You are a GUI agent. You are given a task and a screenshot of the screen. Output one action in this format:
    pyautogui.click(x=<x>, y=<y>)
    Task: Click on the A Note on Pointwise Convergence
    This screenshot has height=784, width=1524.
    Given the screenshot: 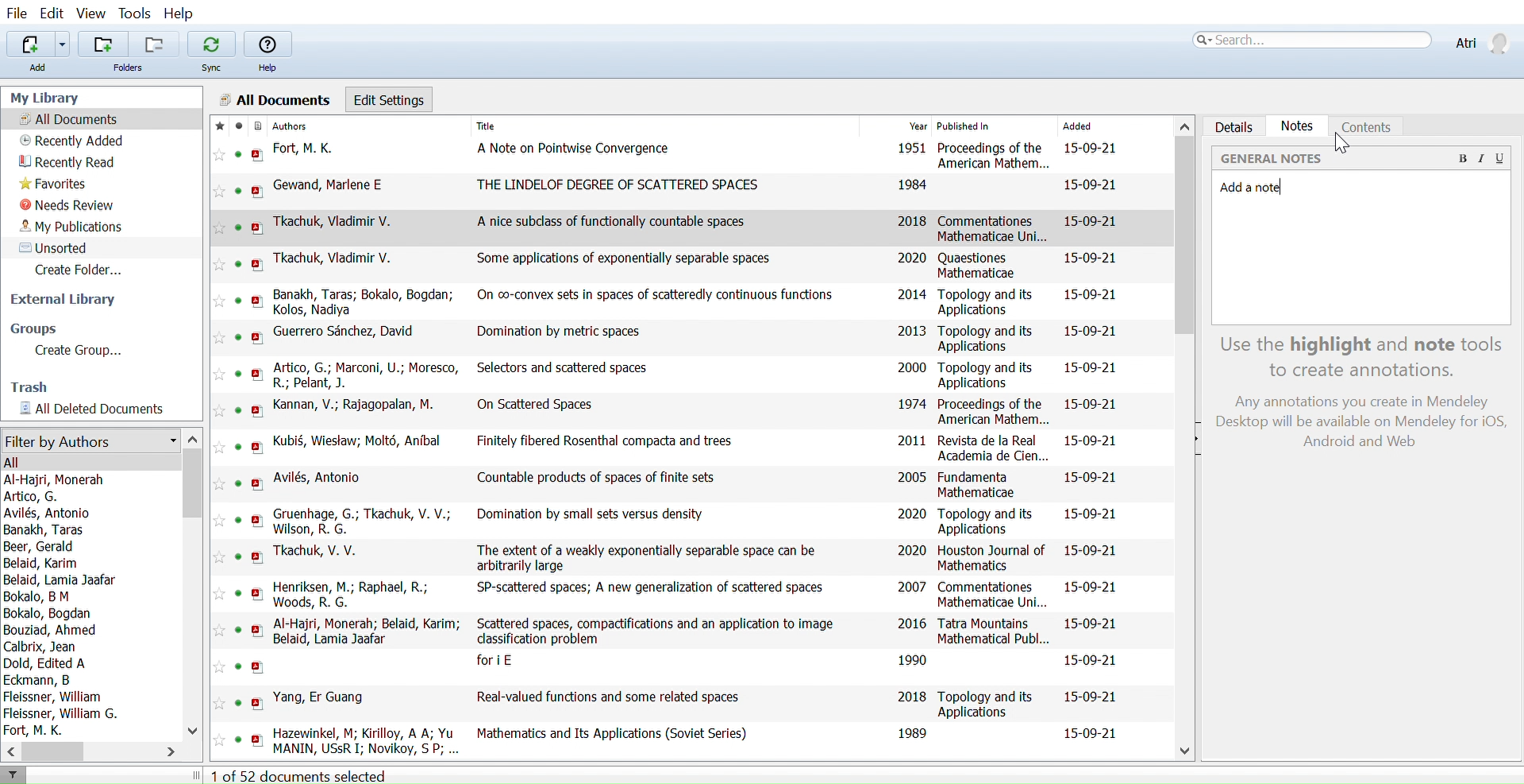 What is the action you would take?
    pyautogui.click(x=574, y=150)
    